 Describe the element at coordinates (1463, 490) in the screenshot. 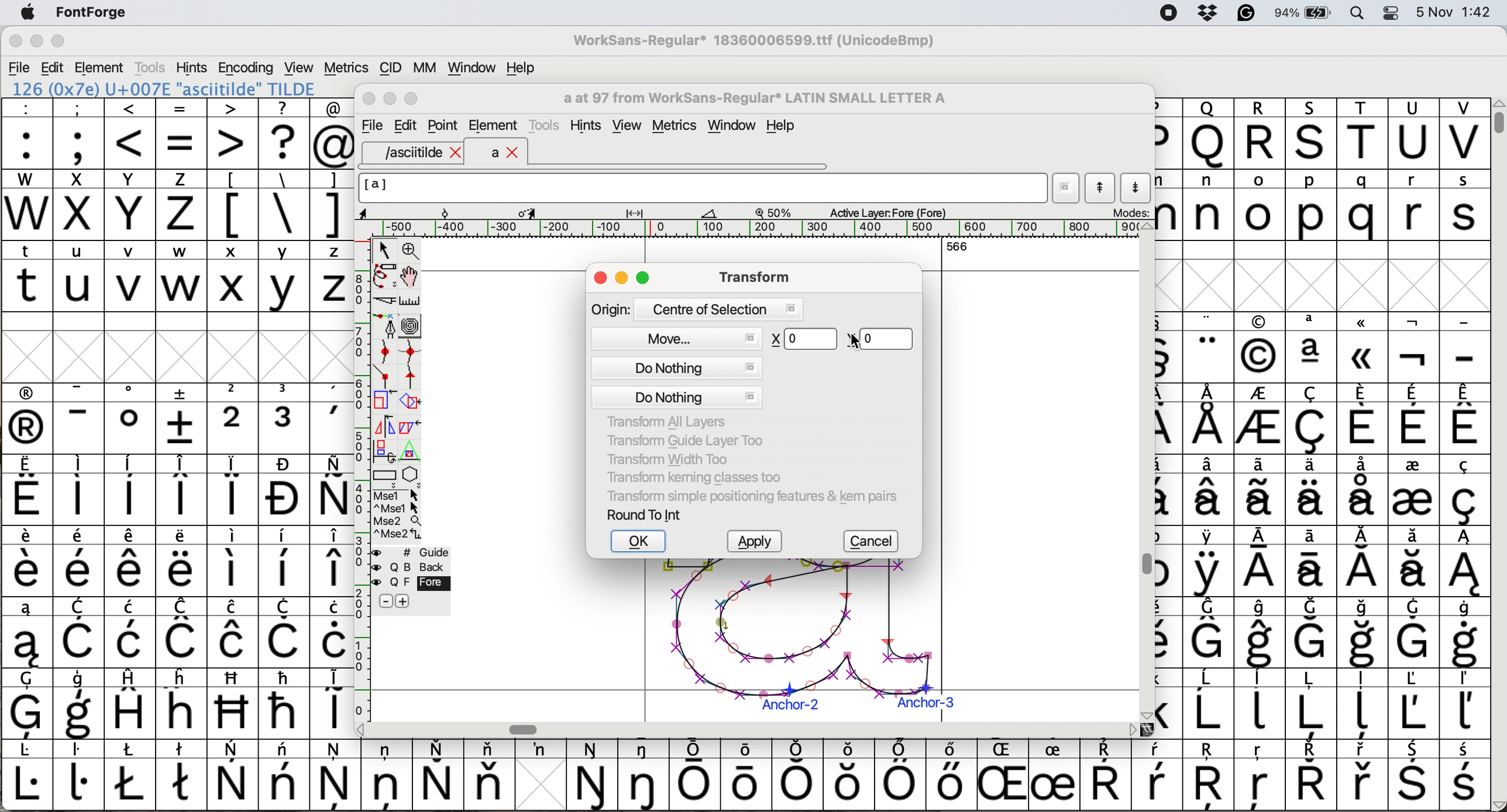

I see `symbol` at that location.